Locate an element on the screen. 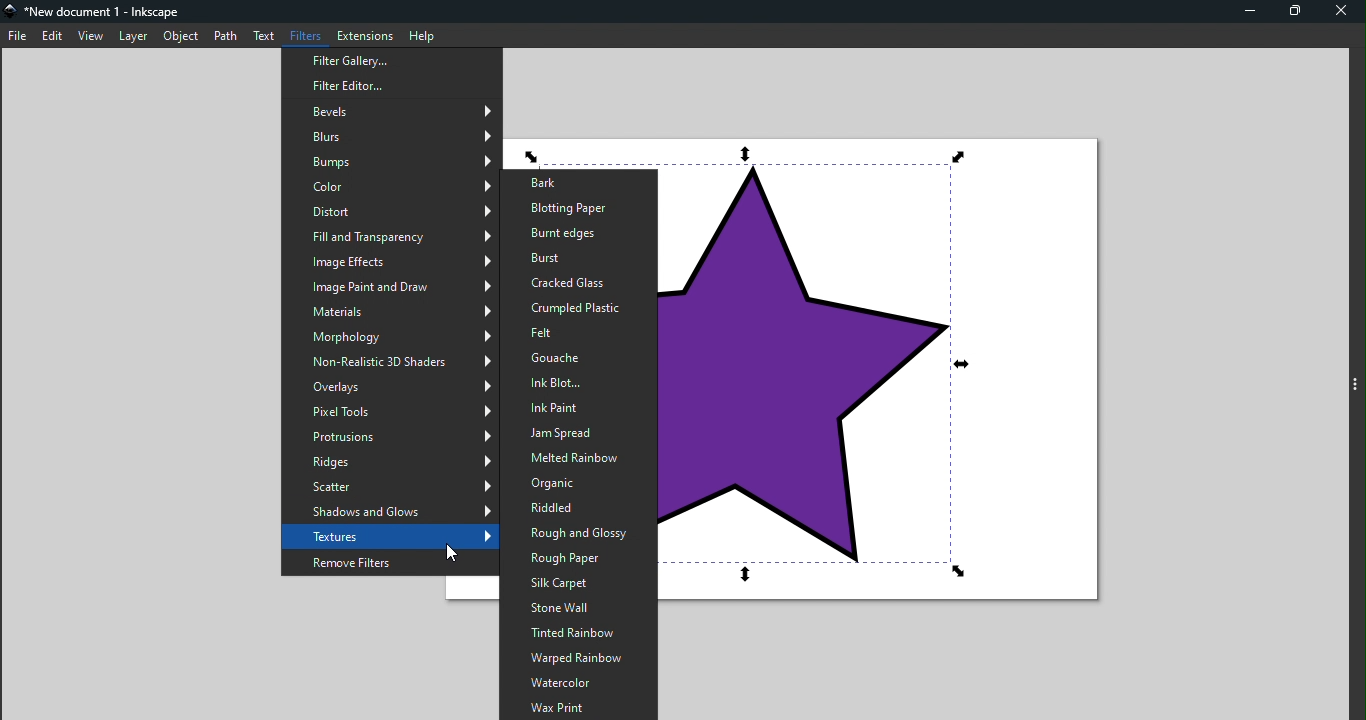 The image size is (1366, 720). Image Paint and draw is located at coordinates (390, 287).